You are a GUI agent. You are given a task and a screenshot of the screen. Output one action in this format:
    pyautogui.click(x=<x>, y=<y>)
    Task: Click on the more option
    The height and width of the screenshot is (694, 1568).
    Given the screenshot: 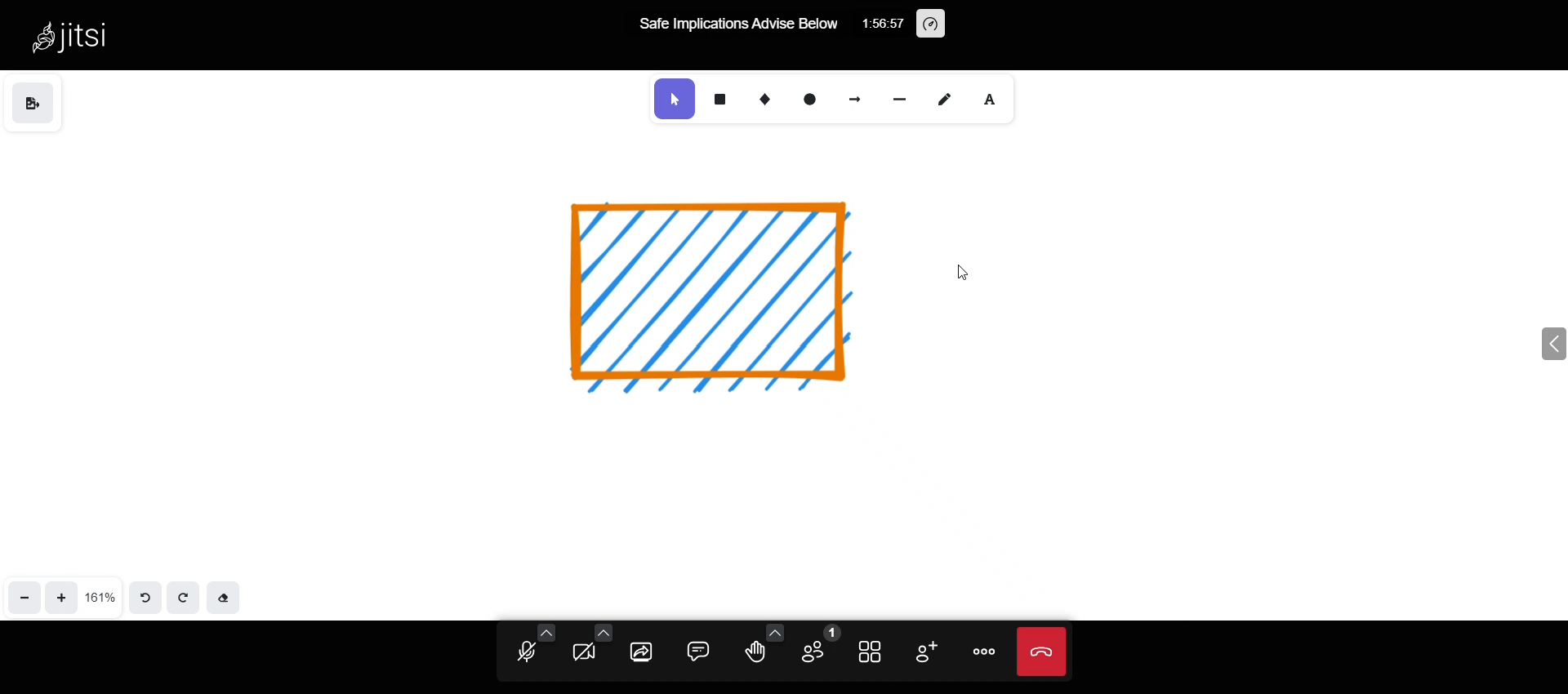 What is the action you would take?
    pyautogui.click(x=980, y=648)
    